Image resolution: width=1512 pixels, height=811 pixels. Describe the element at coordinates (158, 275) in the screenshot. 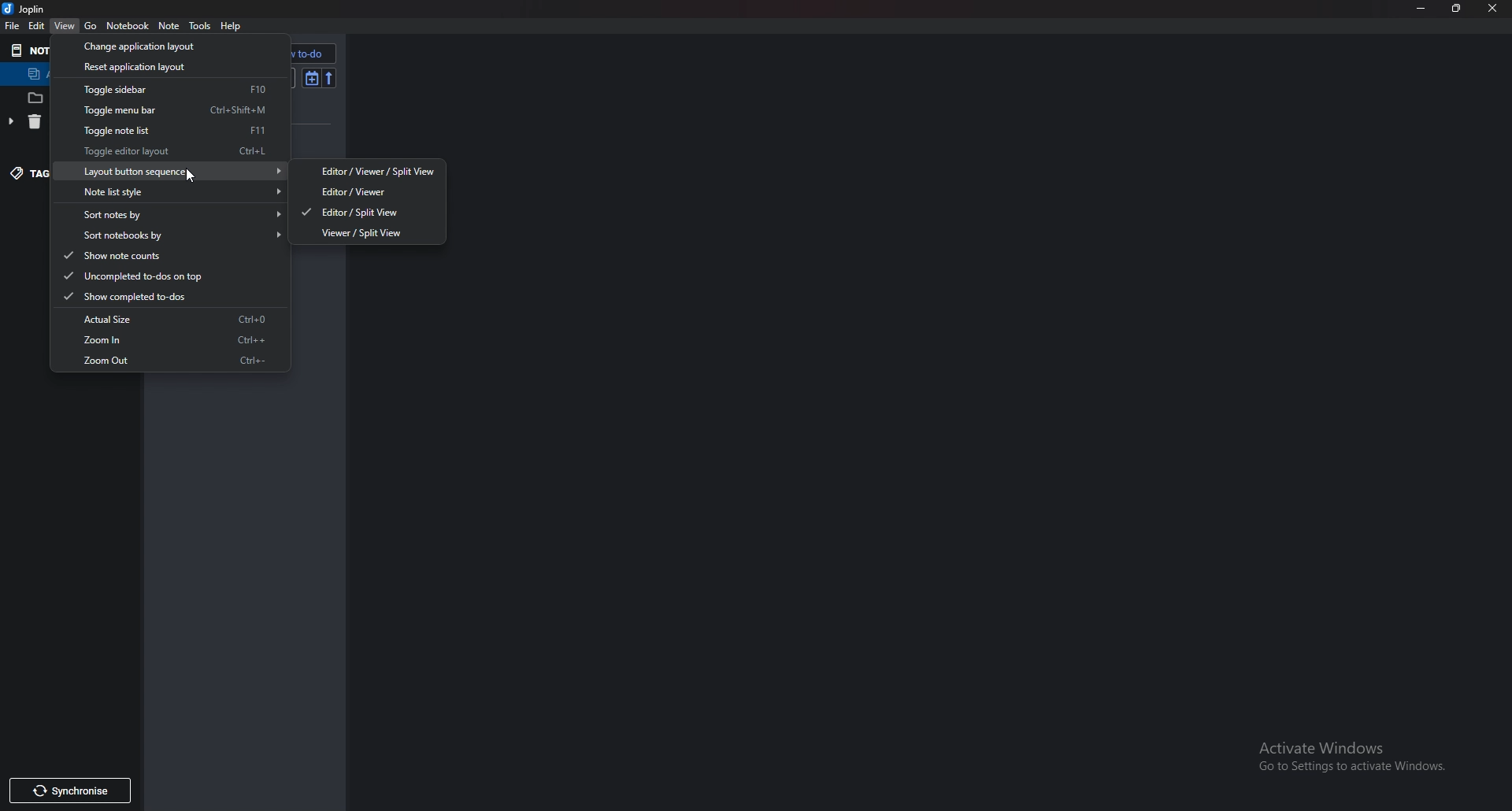

I see `Uncompleted To dos on top` at that location.